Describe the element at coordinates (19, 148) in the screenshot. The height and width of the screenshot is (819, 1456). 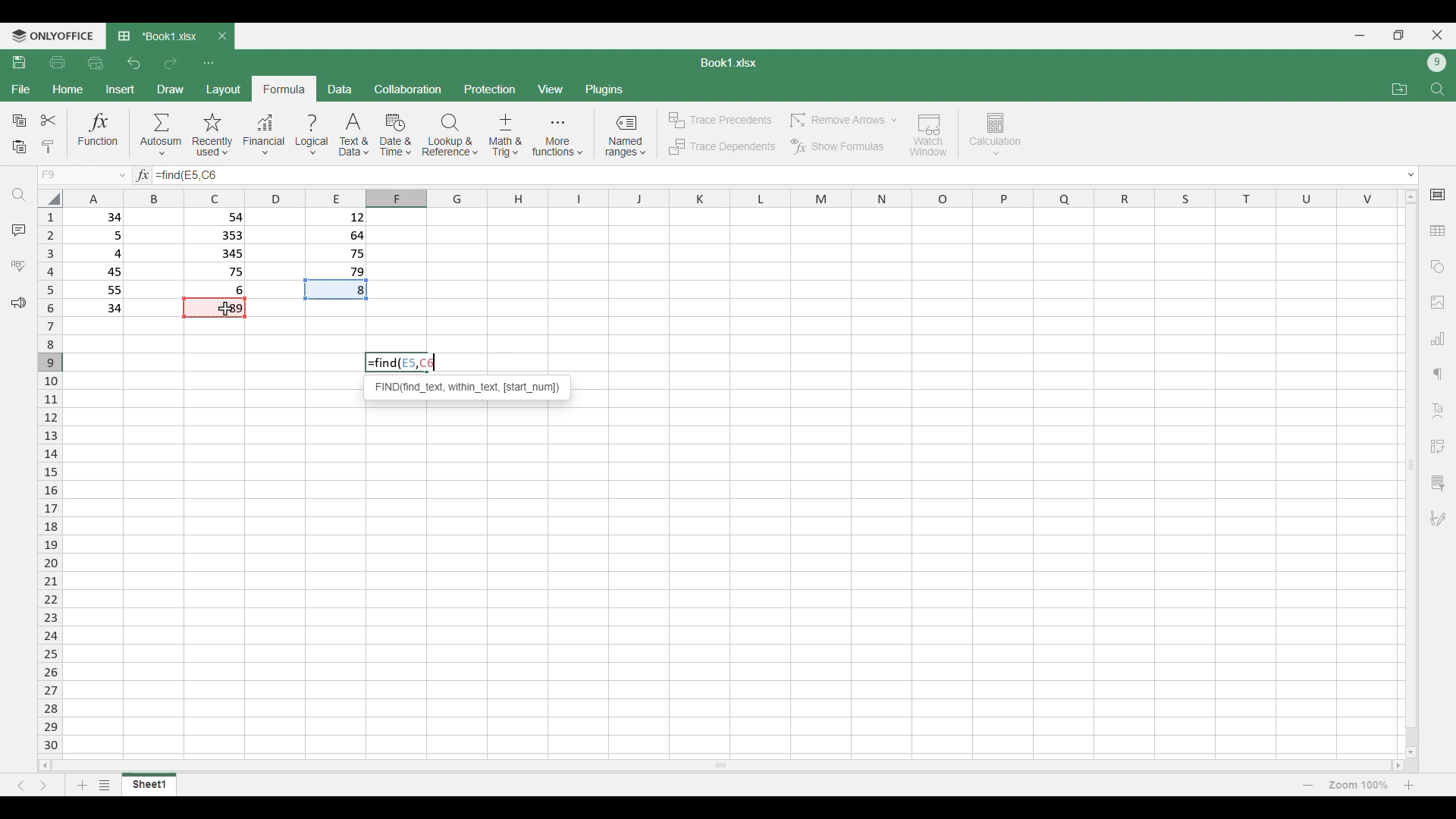
I see `Paste` at that location.